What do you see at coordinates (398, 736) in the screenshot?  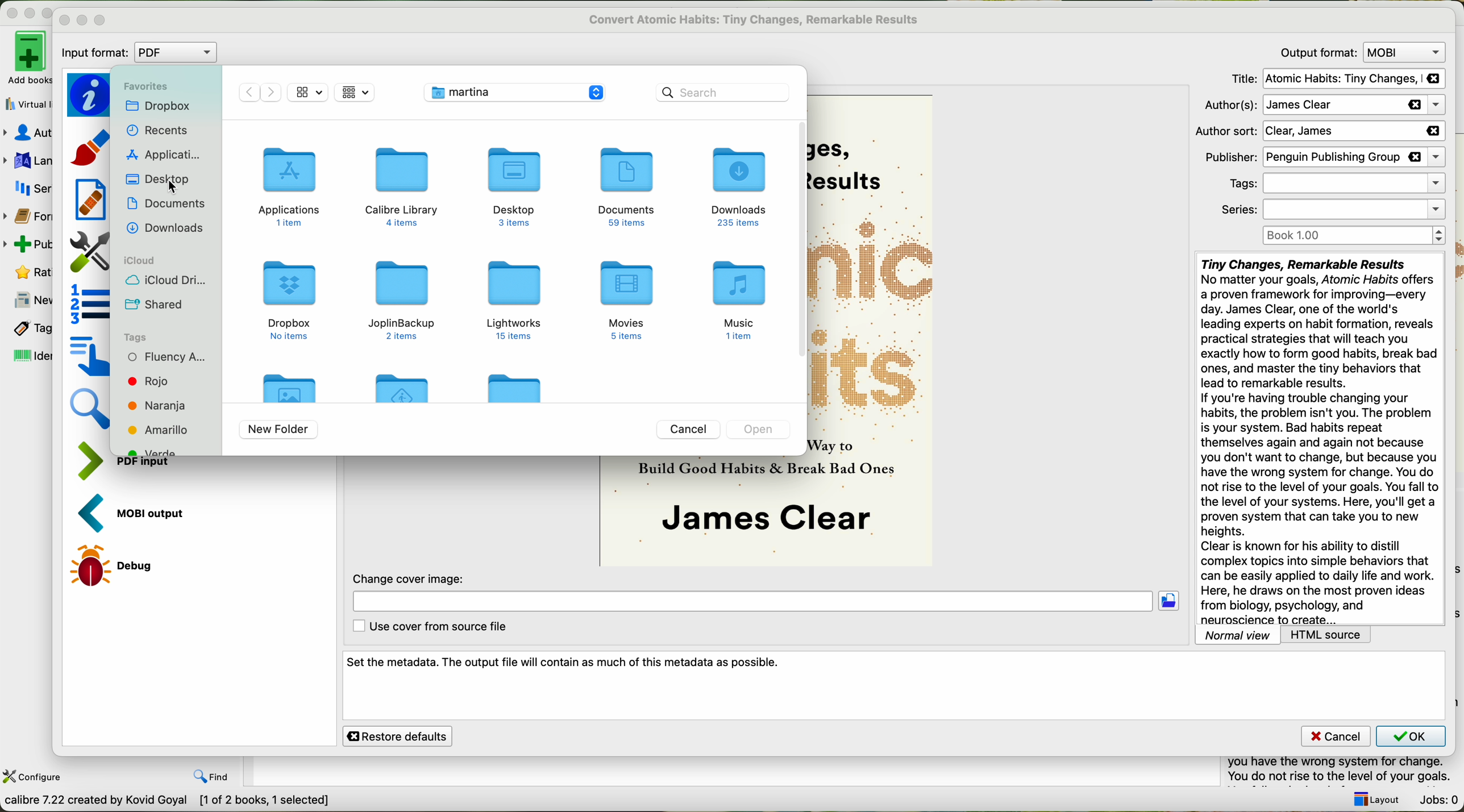 I see `restore defaults` at bounding box center [398, 736].